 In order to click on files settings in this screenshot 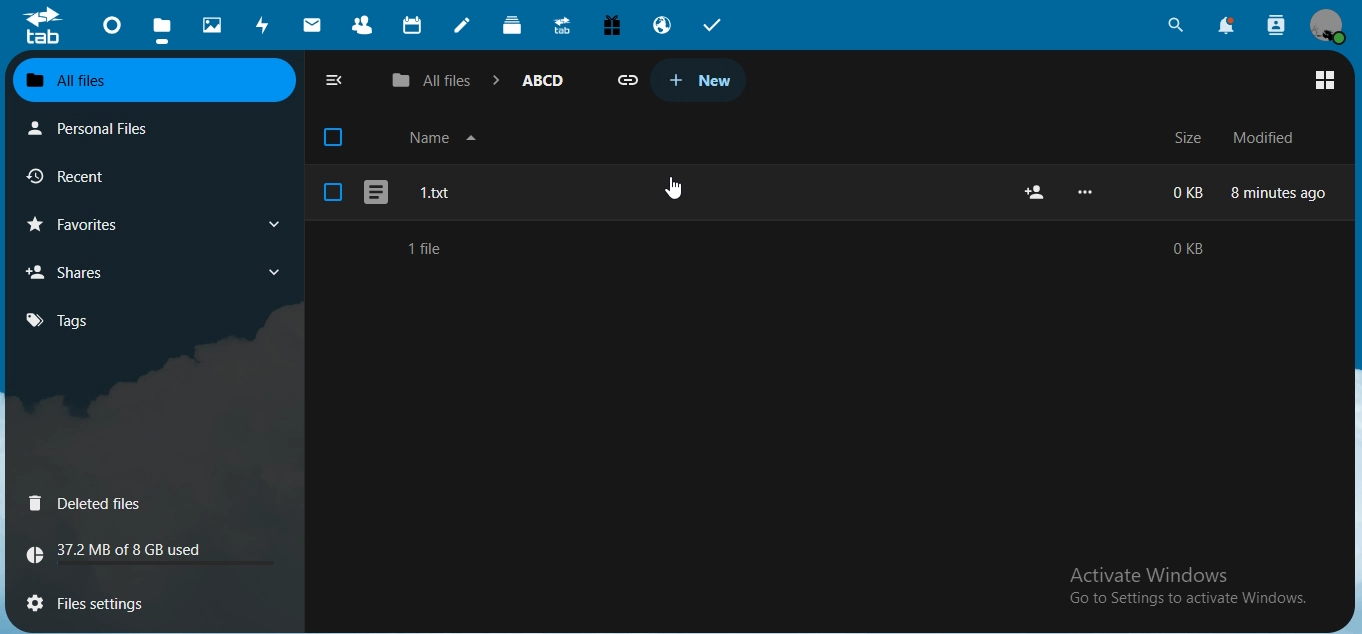, I will do `click(117, 600)`.